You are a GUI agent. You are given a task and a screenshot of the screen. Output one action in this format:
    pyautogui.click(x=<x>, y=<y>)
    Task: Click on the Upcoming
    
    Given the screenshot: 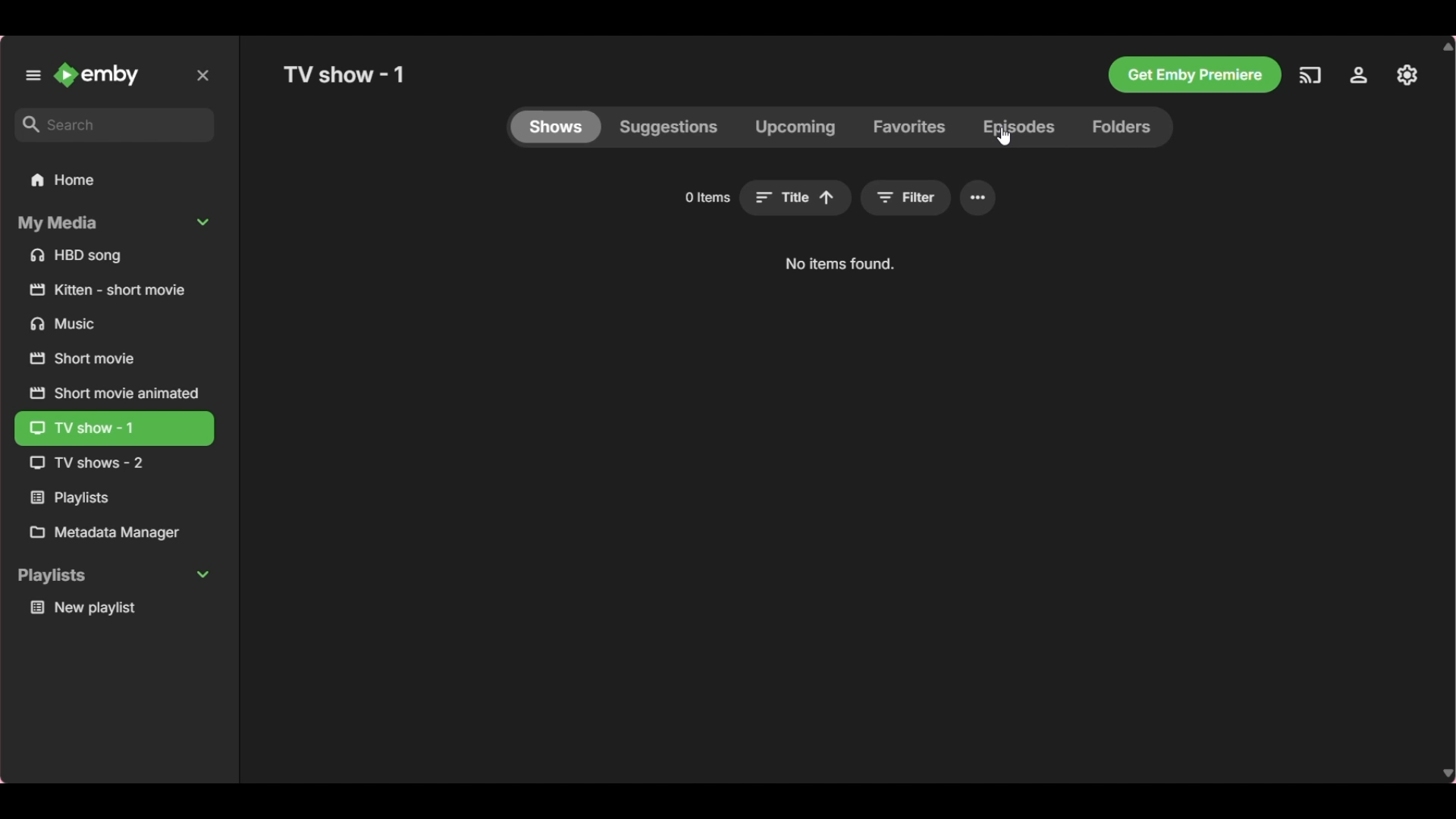 What is the action you would take?
    pyautogui.click(x=795, y=127)
    